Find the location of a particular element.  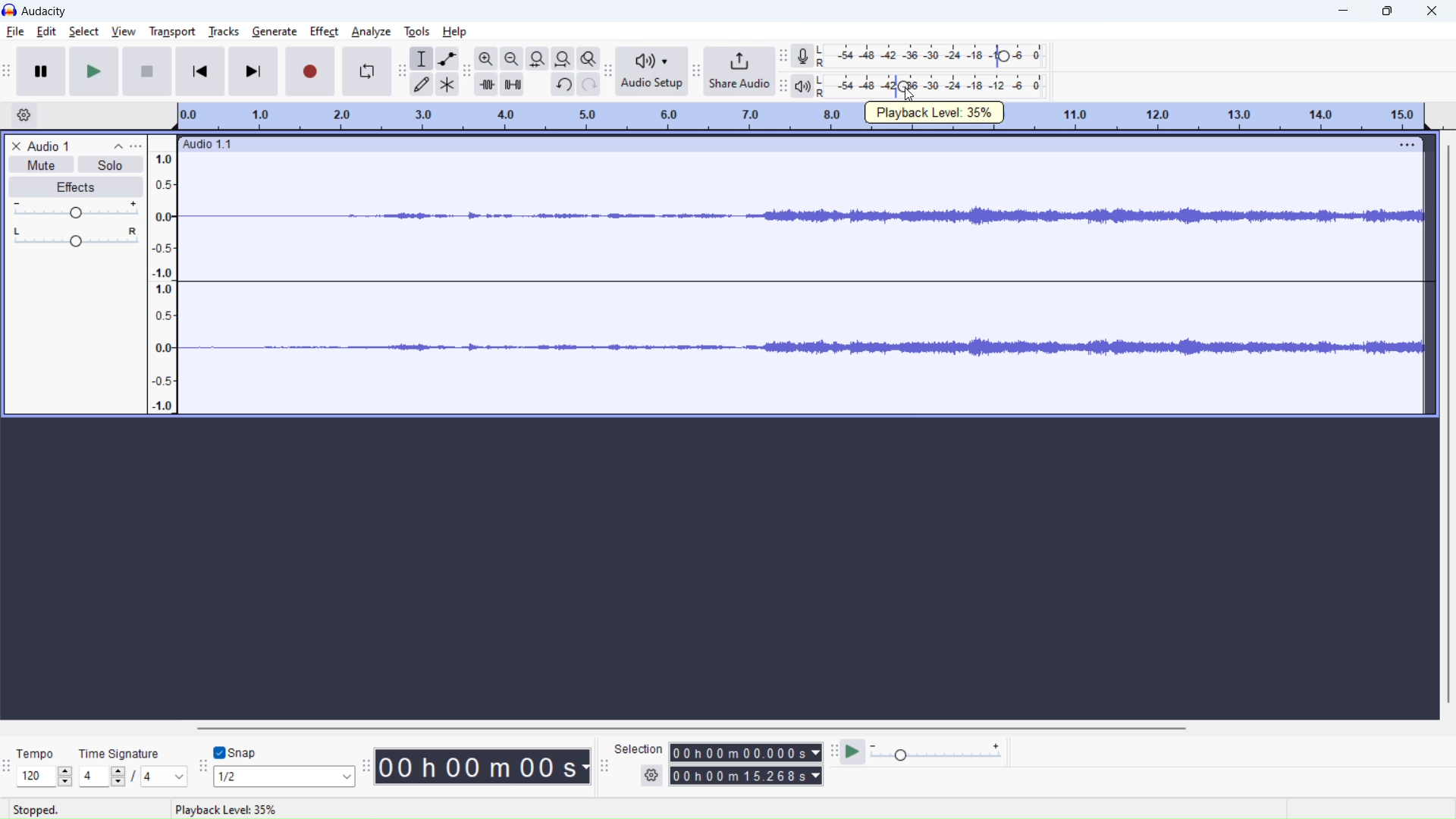

play is located at coordinates (94, 71).